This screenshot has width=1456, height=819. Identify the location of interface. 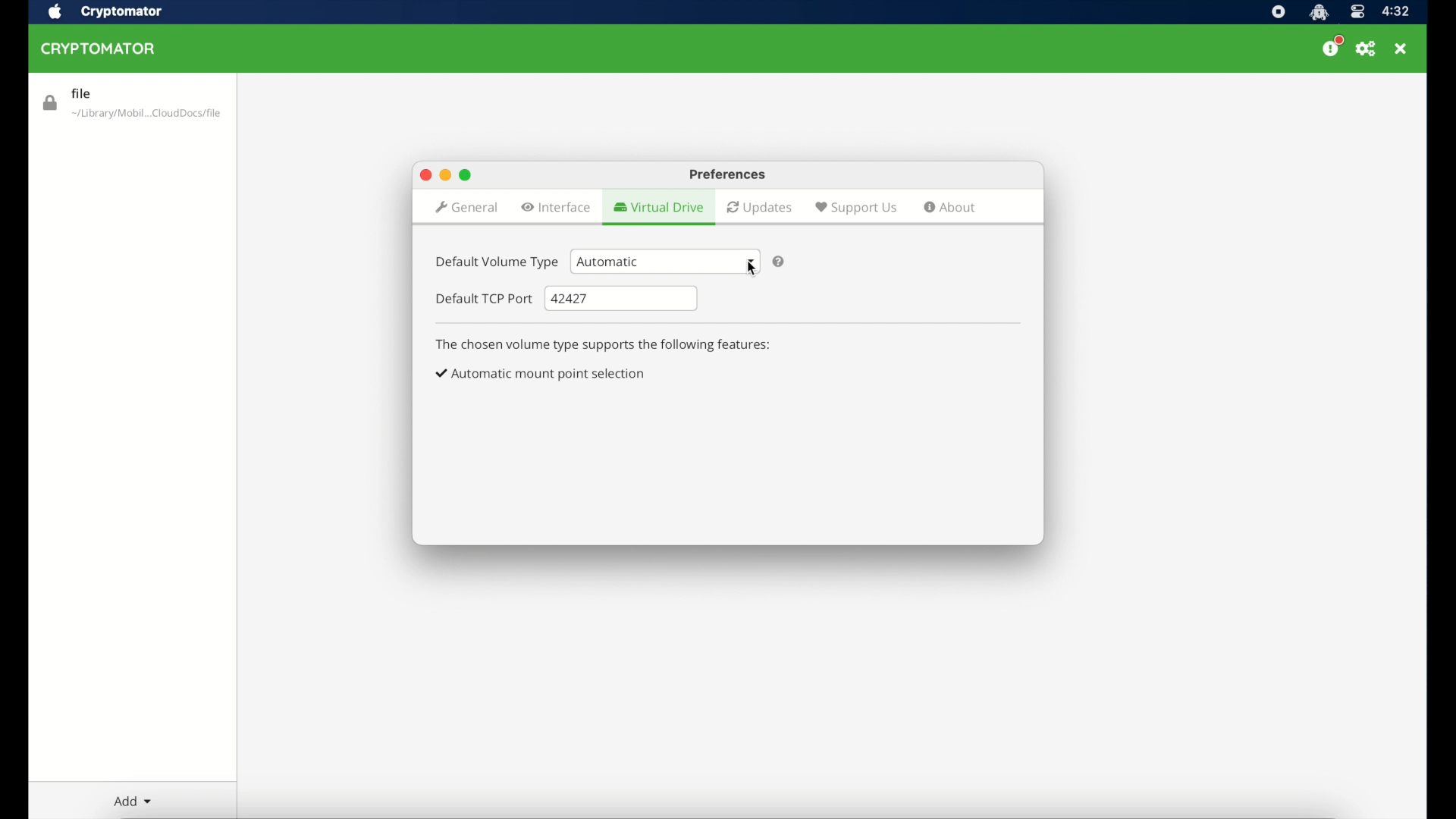
(557, 207).